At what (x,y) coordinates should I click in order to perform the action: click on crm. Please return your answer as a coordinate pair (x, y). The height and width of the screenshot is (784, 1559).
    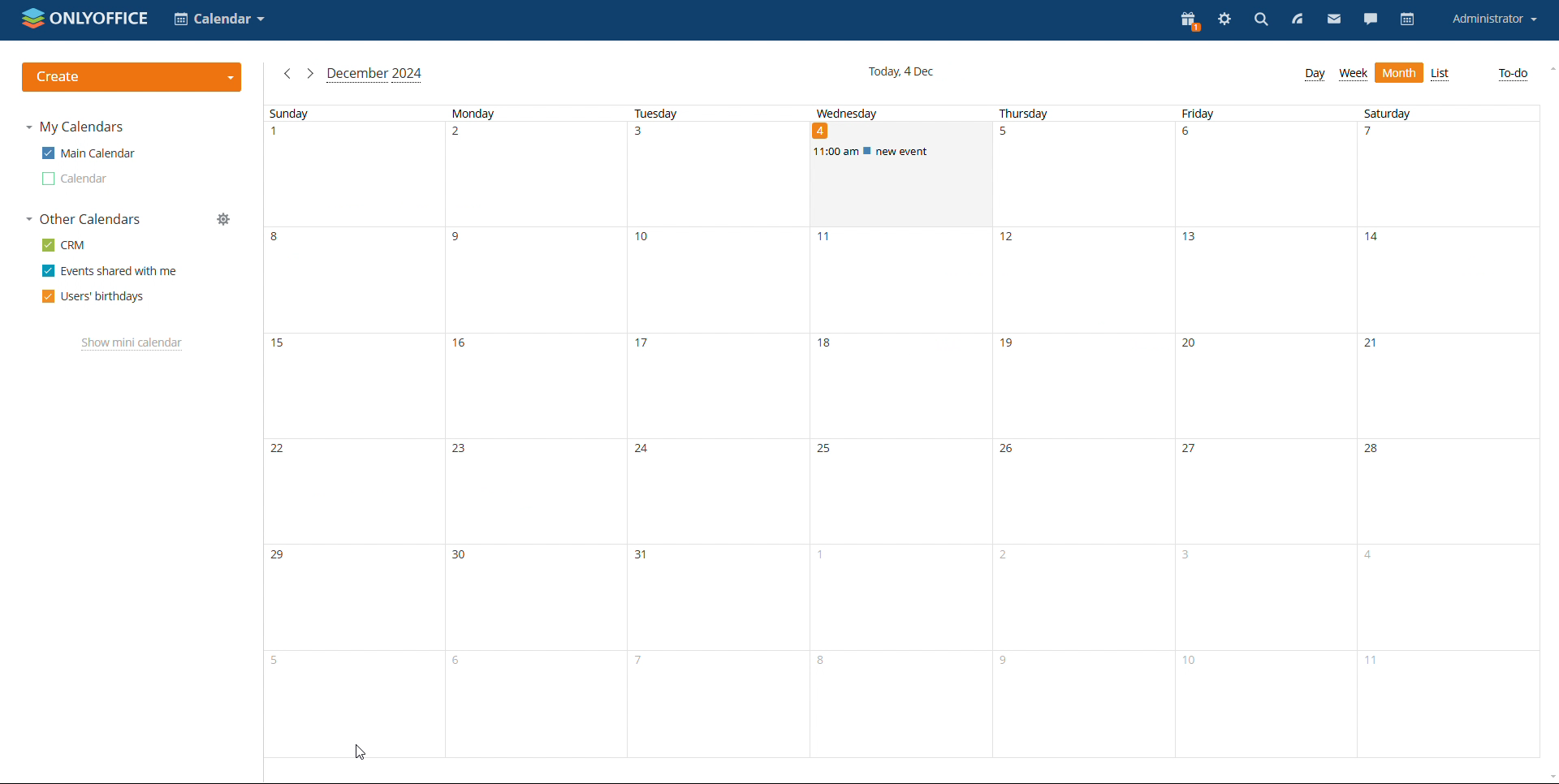
    Looking at the image, I should click on (64, 244).